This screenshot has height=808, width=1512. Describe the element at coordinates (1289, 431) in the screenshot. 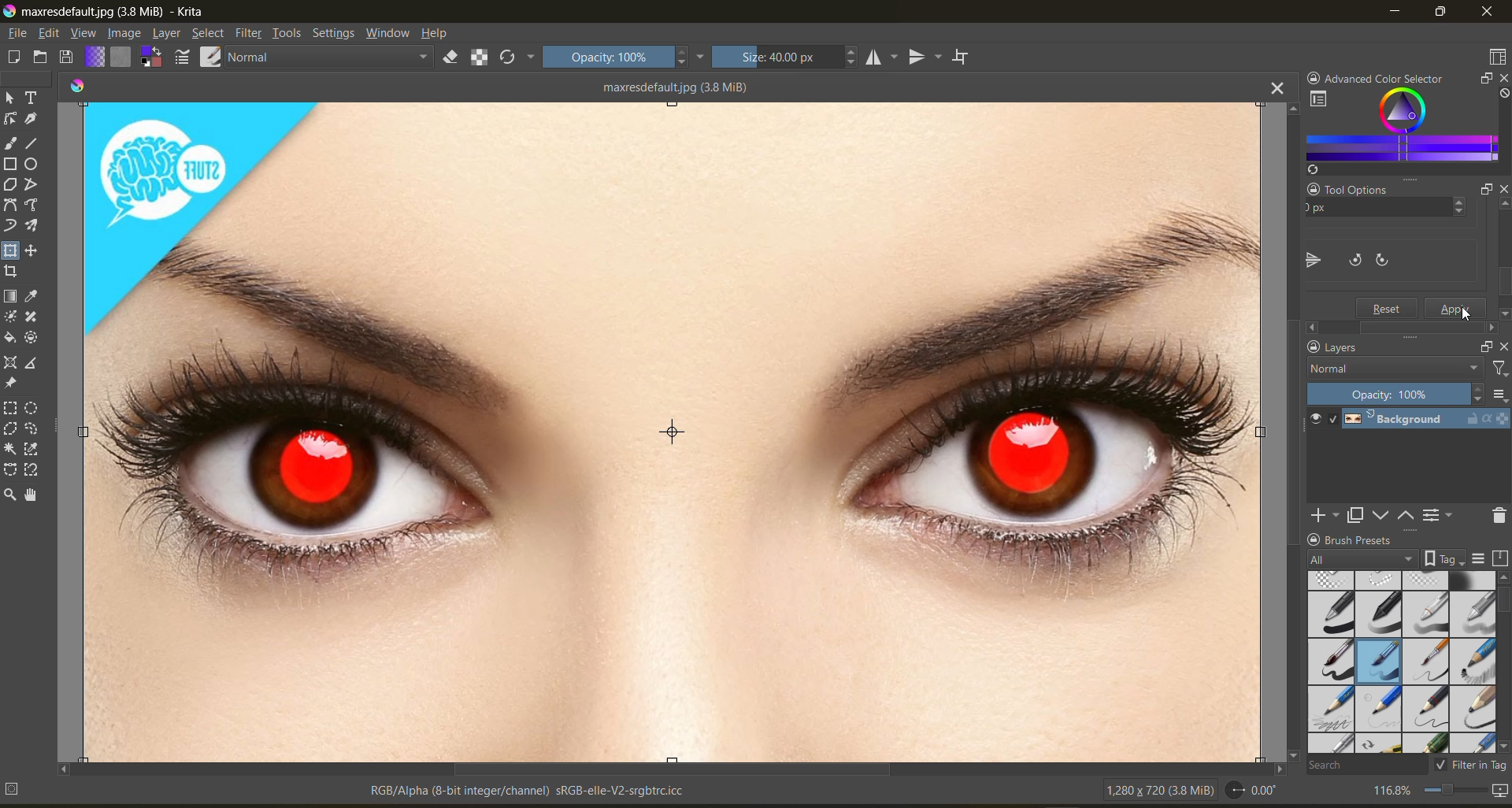

I see `vertical scroll bar` at that location.